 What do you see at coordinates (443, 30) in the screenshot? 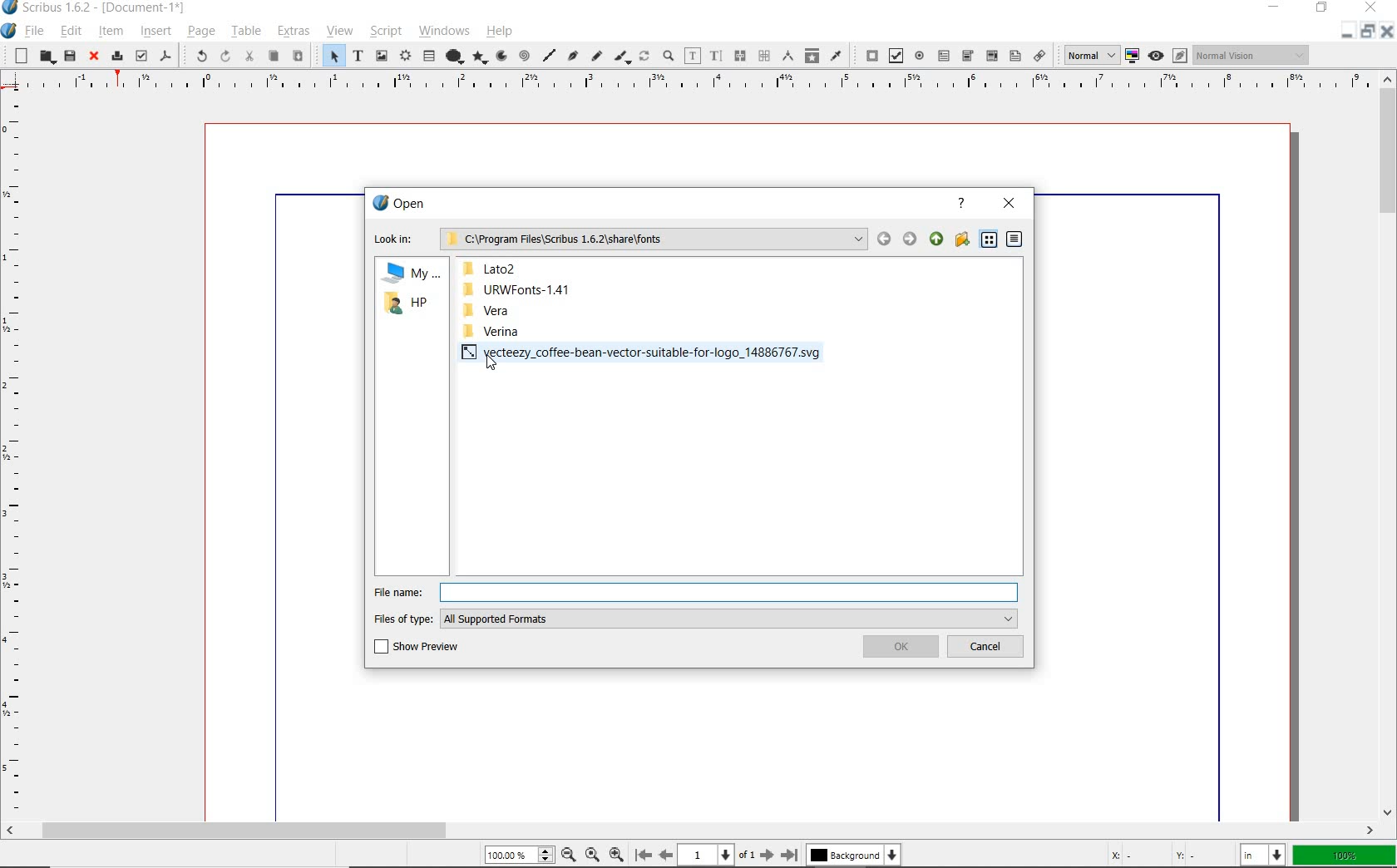
I see `windows` at bounding box center [443, 30].